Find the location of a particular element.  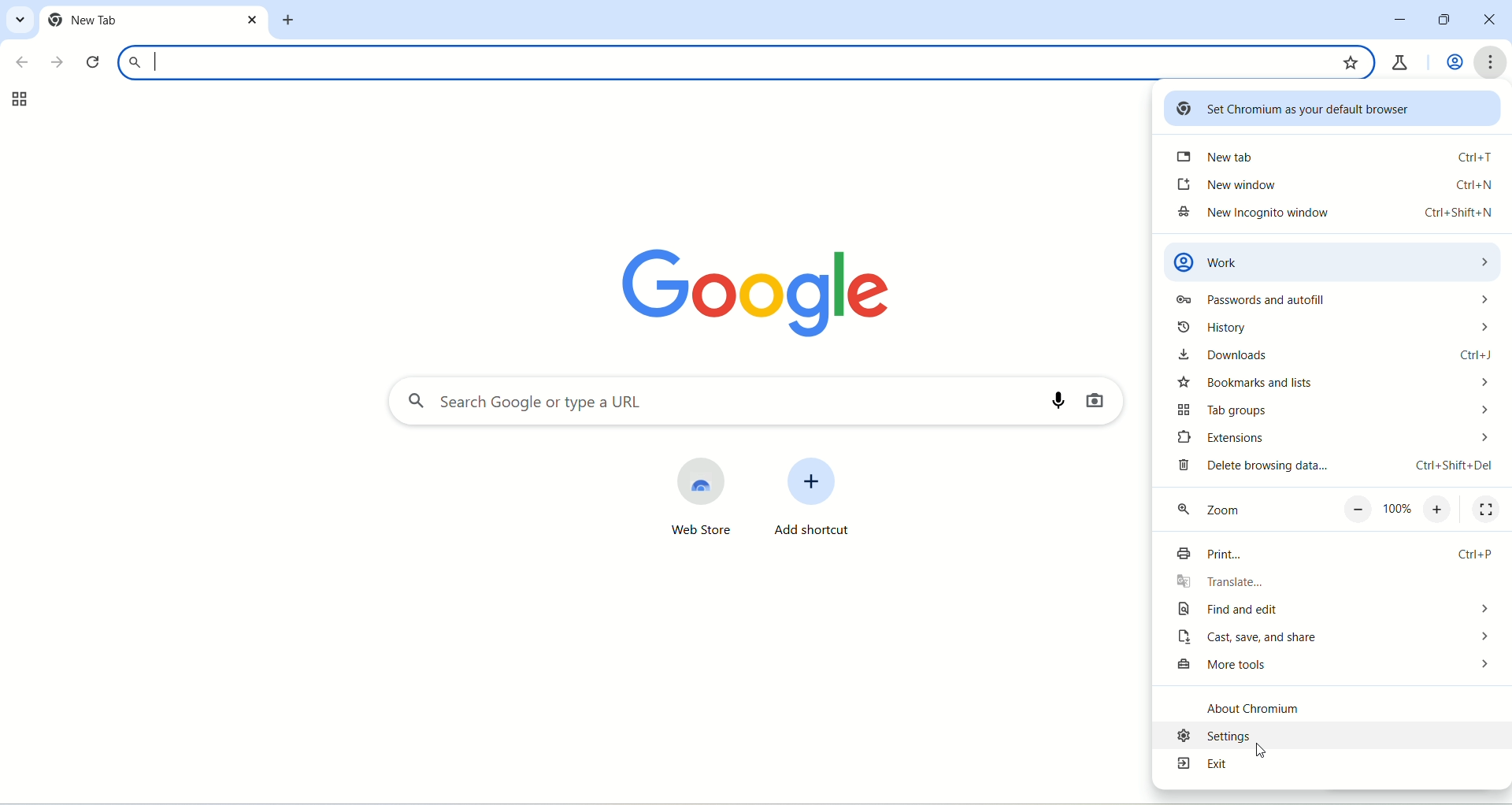

zoom in is located at coordinates (1441, 510).